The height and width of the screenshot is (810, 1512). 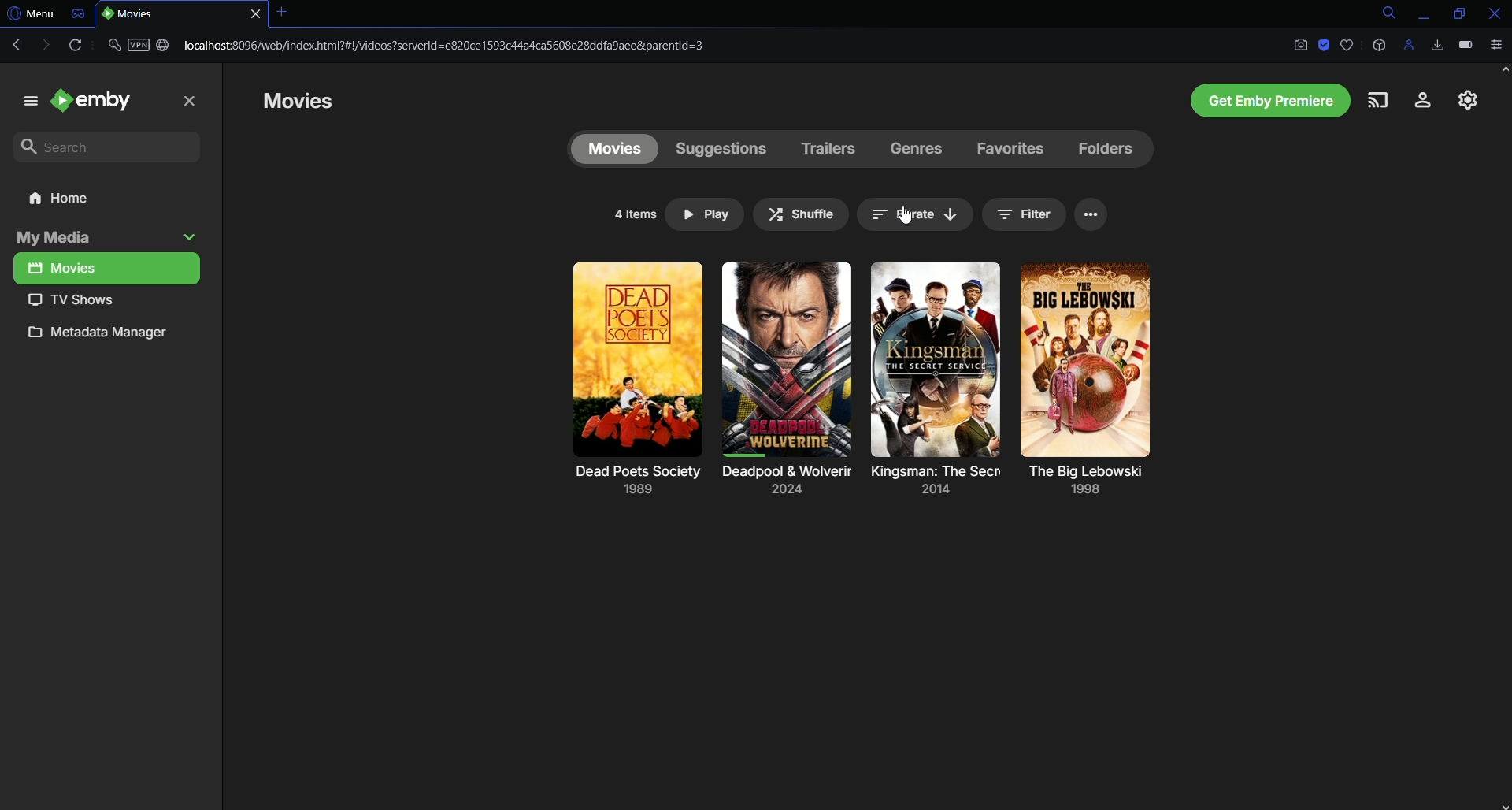 What do you see at coordinates (1380, 13) in the screenshot?
I see `Search` at bounding box center [1380, 13].